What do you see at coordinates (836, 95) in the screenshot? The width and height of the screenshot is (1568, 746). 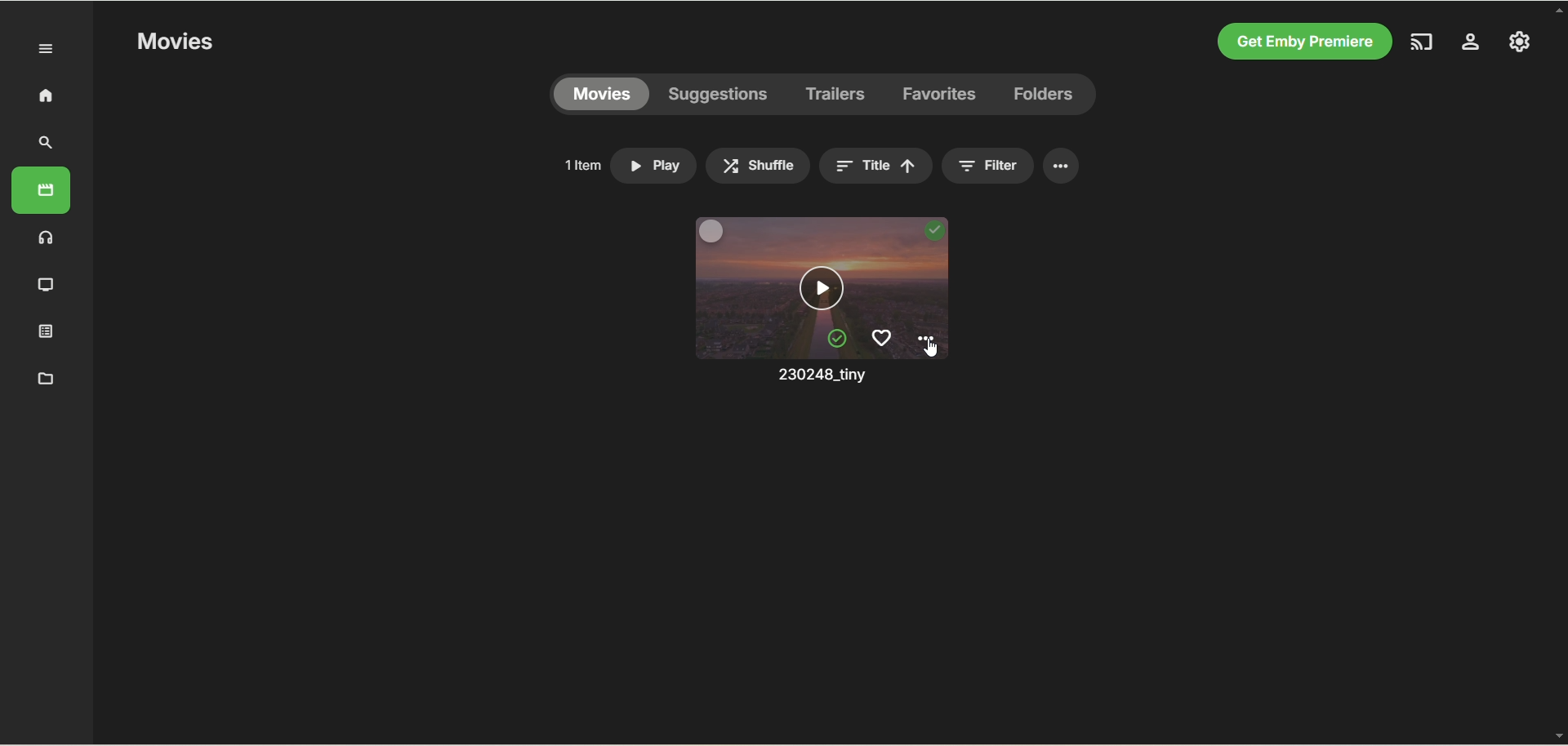 I see `trailers` at bounding box center [836, 95].